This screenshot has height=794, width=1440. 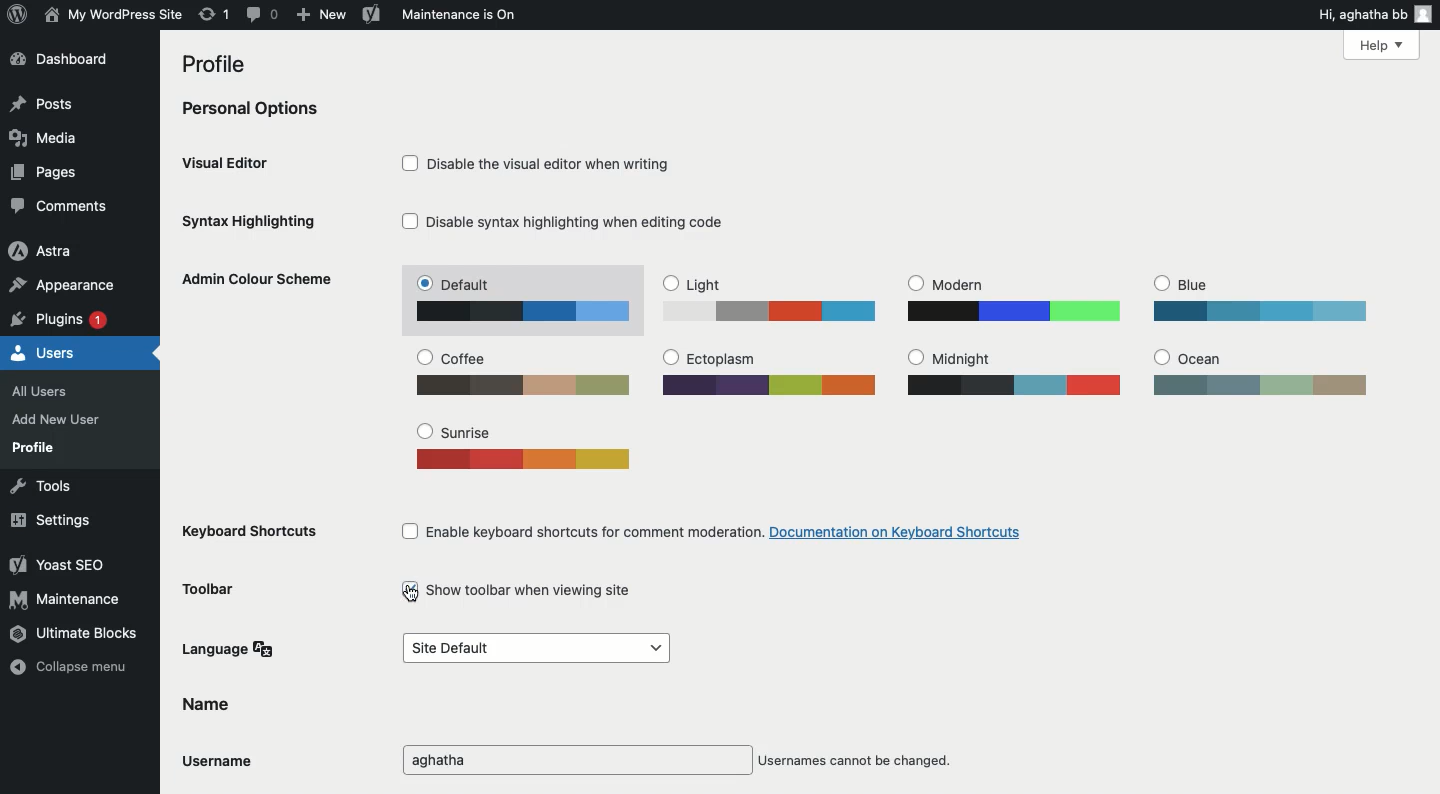 I want to click on Posts, so click(x=43, y=106).